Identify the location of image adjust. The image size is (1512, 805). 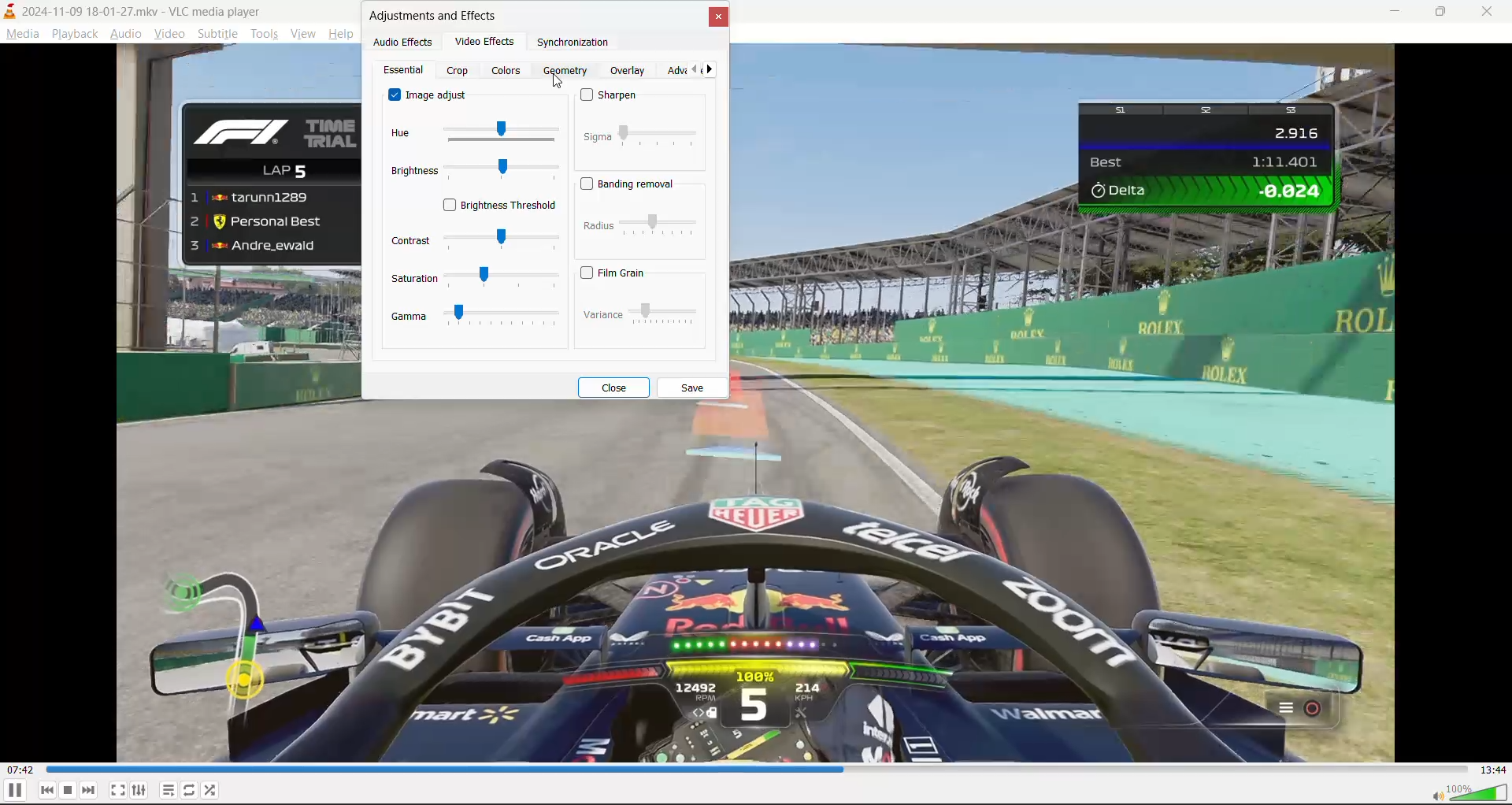
(431, 95).